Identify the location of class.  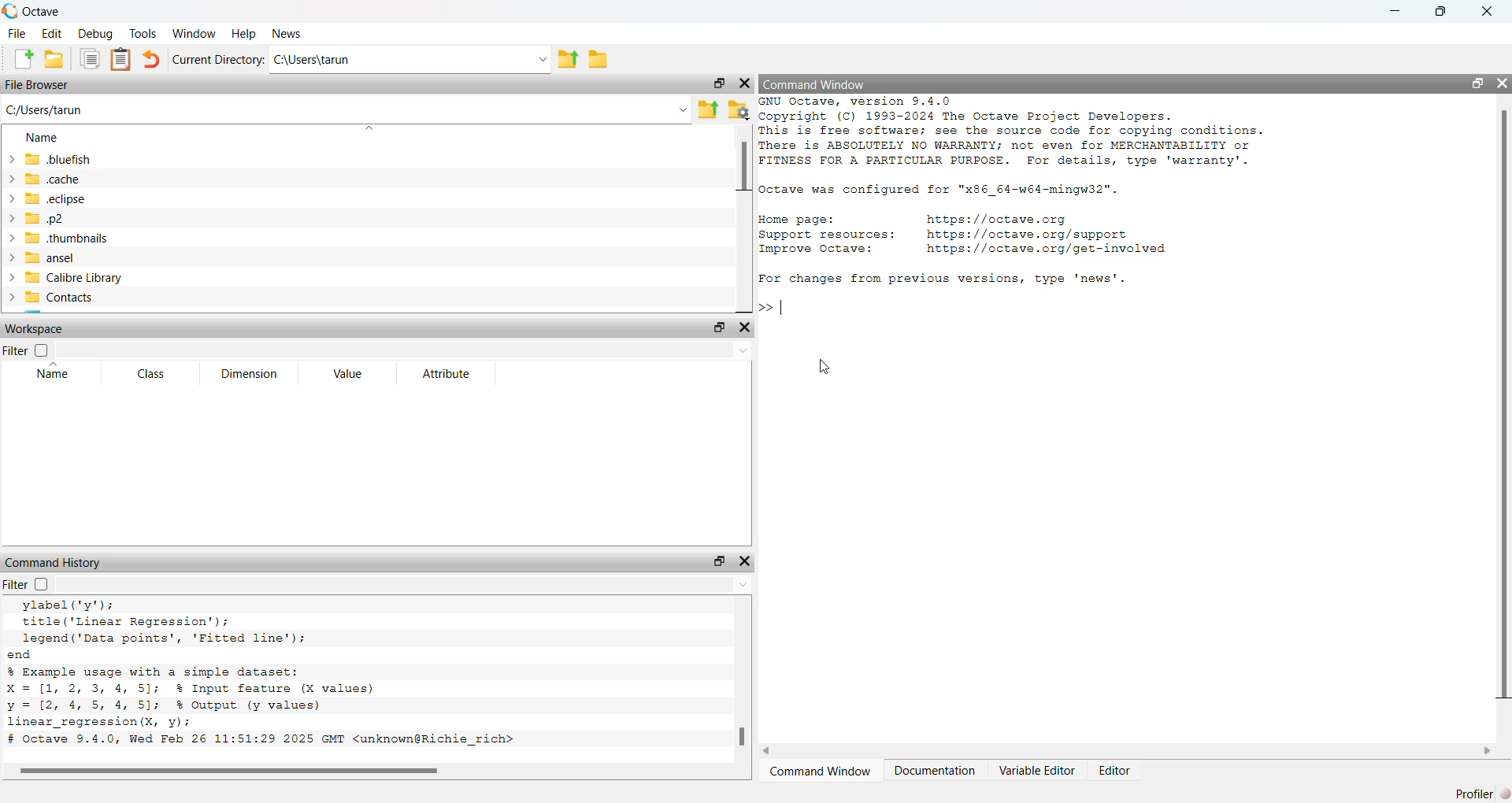
(151, 374).